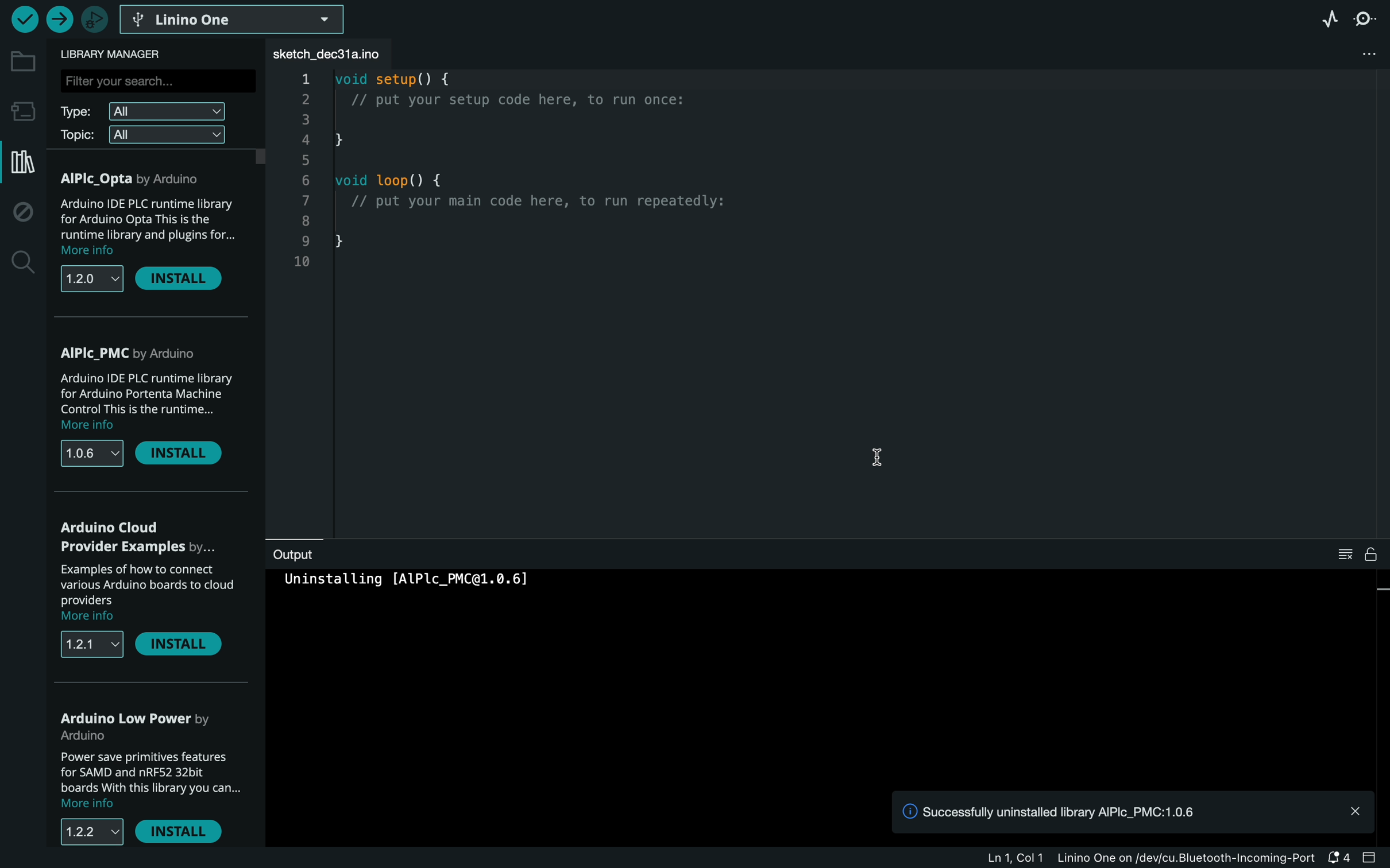 The height and width of the screenshot is (868, 1390). What do you see at coordinates (144, 590) in the screenshot?
I see `description` at bounding box center [144, 590].